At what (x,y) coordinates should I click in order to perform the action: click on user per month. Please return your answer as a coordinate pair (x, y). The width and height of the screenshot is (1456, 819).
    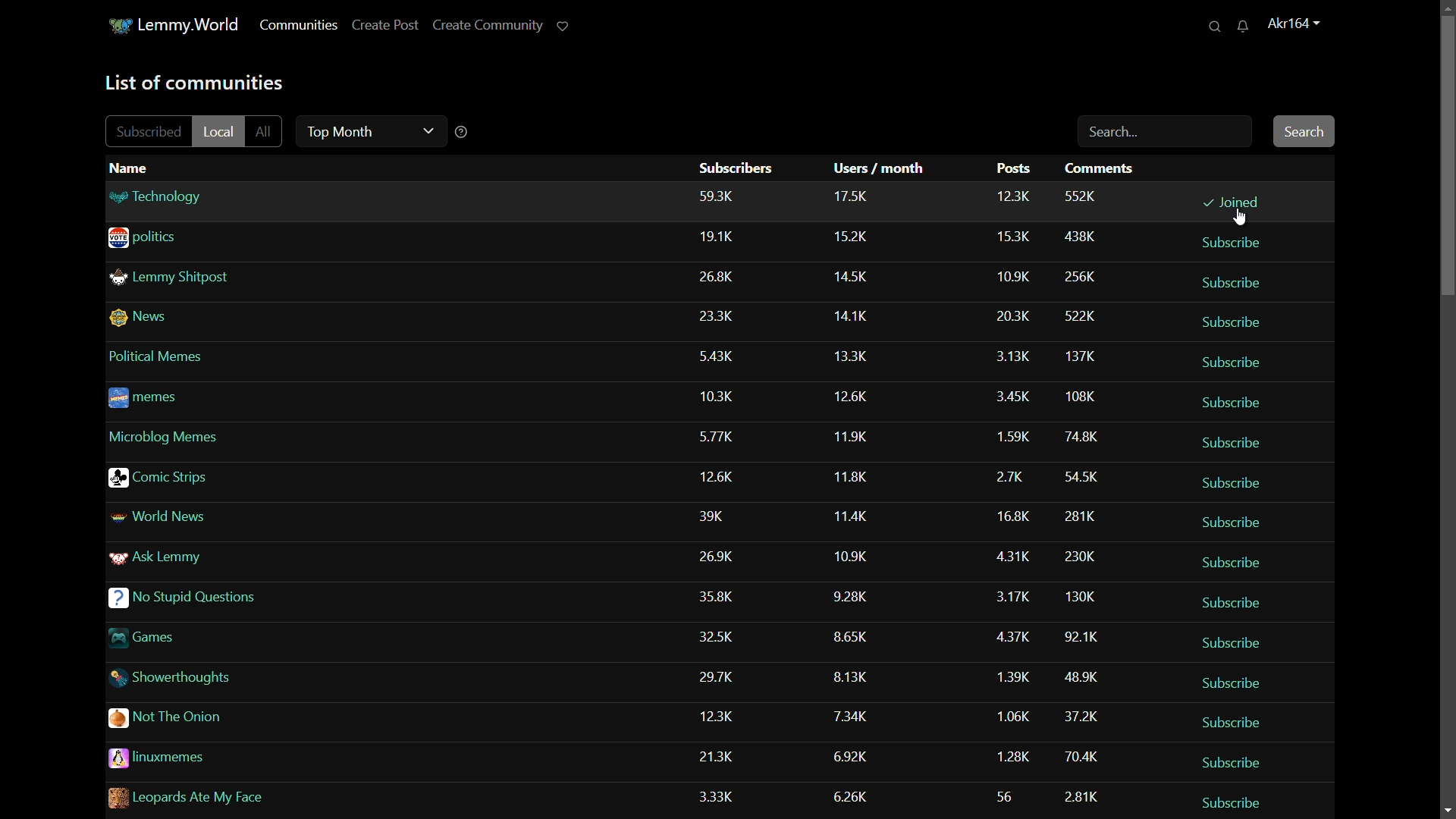
    Looking at the image, I should click on (853, 641).